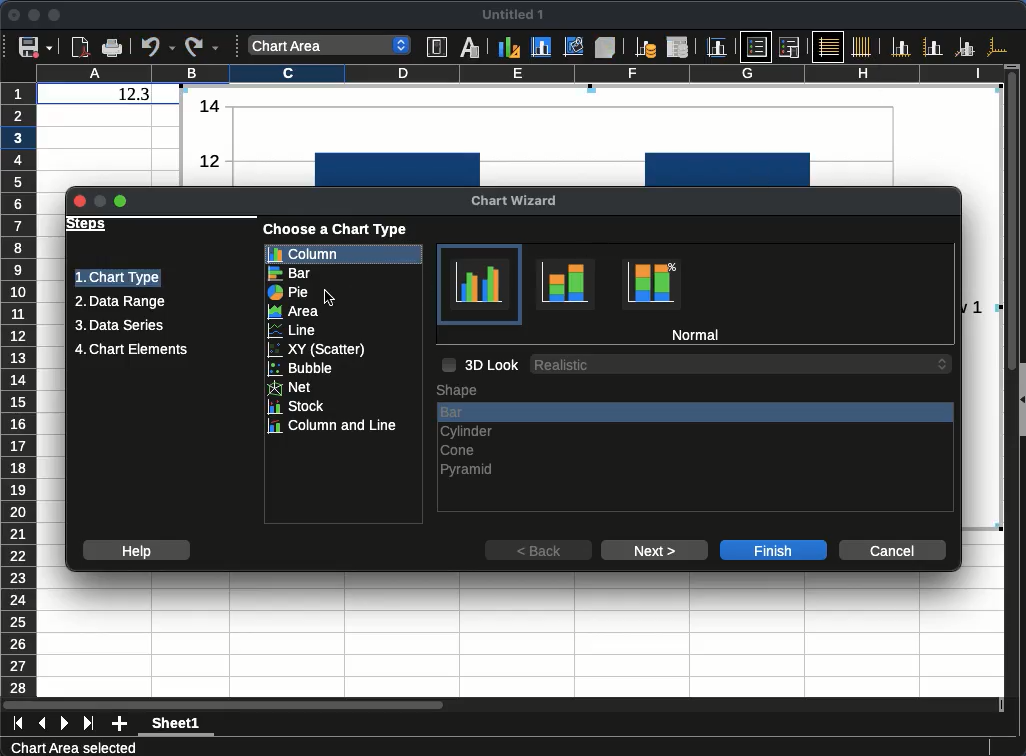  Describe the element at coordinates (437, 47) in the screenshot. I see `Format selection` at that location.